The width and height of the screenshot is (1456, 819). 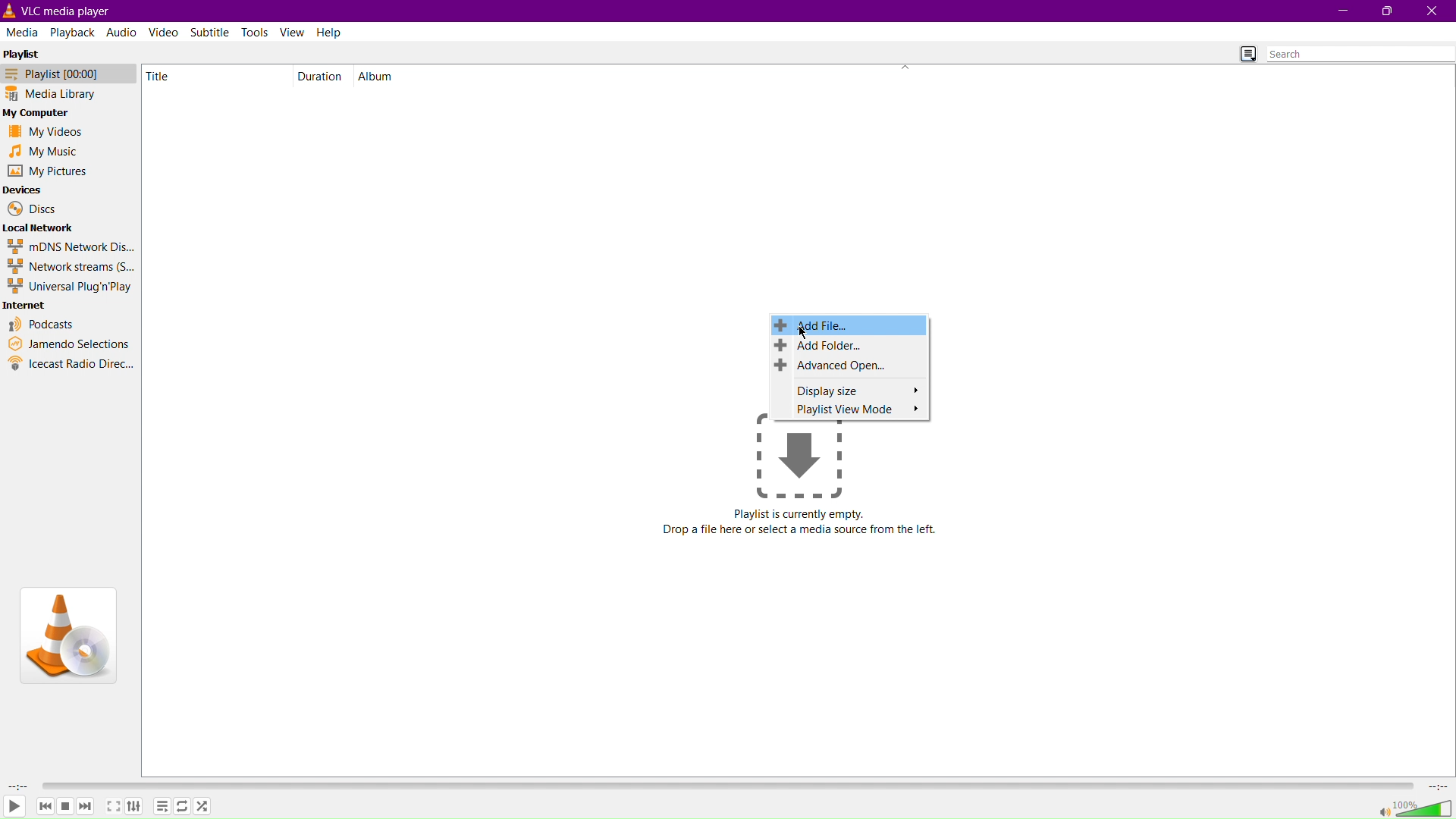 What do you see at coordinates (40, 227) in the screenshot?
I see `Local Network` at bounding box center [40, 227].